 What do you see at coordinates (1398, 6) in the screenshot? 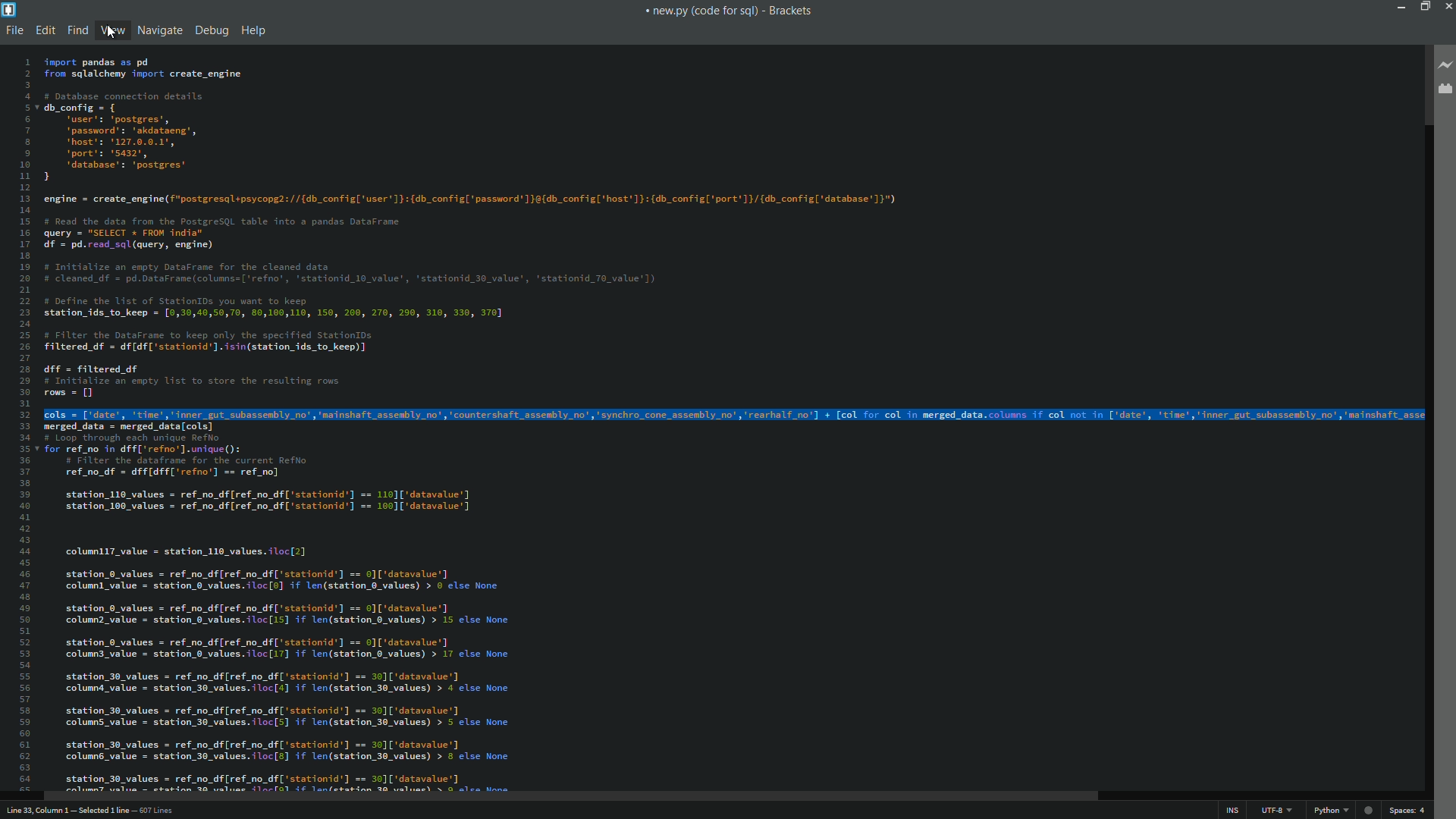
I see `minimize` at bounding box center [1398, 6].